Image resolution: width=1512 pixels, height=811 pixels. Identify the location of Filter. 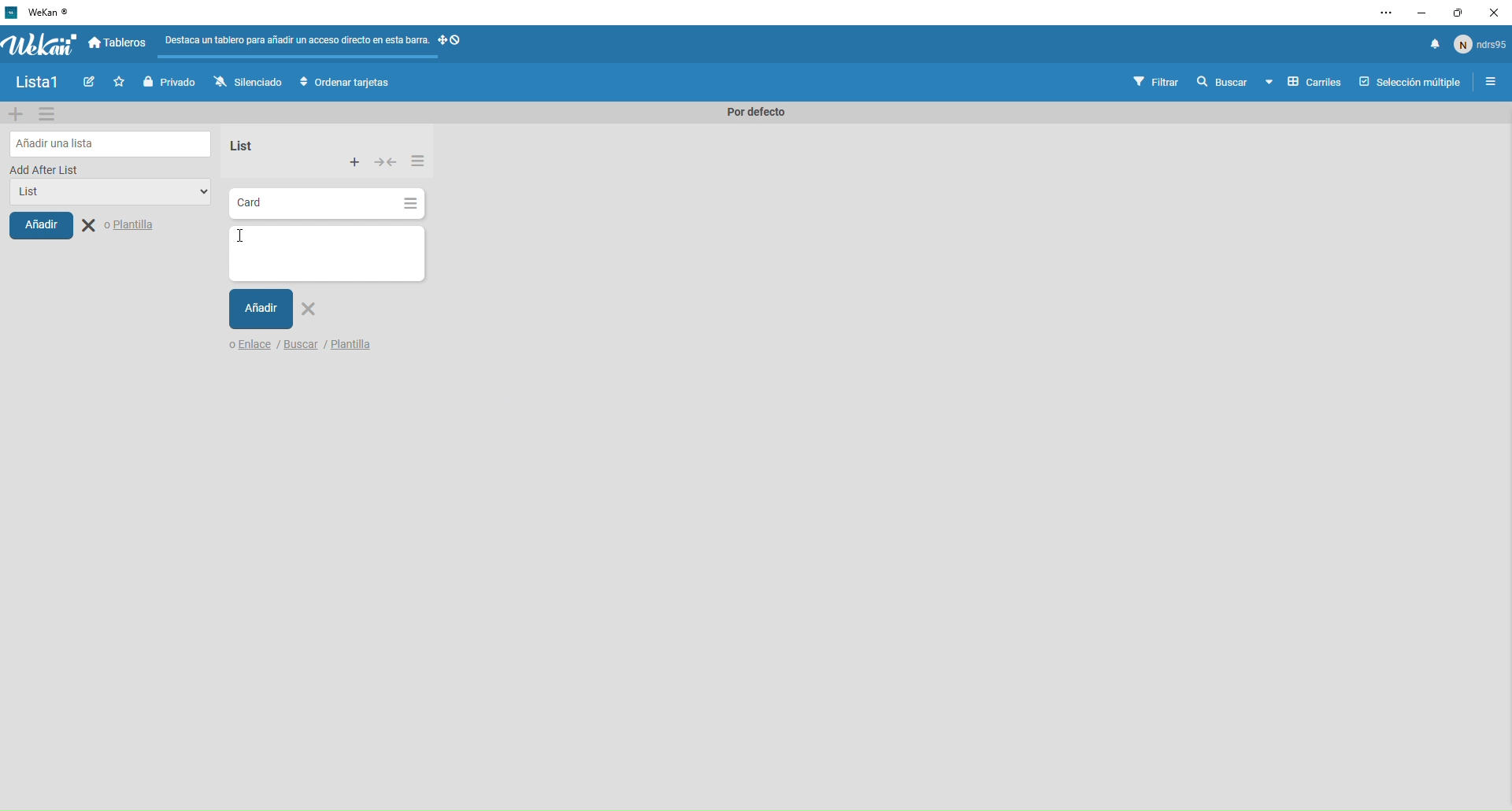
(1157, 83).